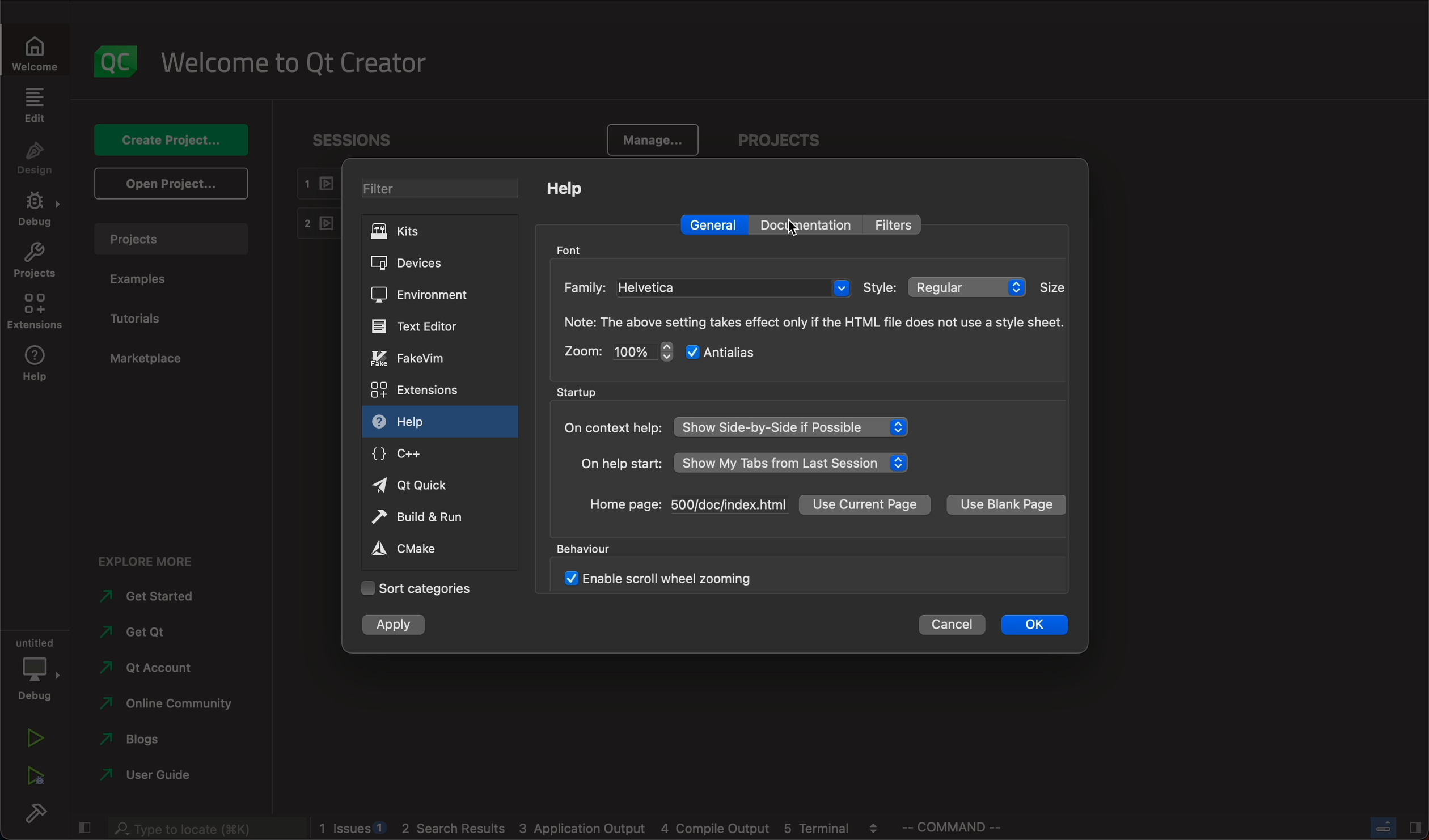 The height and width of the screenshot is (840, 1429). What do you see at coordinates (707, 289) in the screenshot?
I see `family` at bounding box center [707, 289].